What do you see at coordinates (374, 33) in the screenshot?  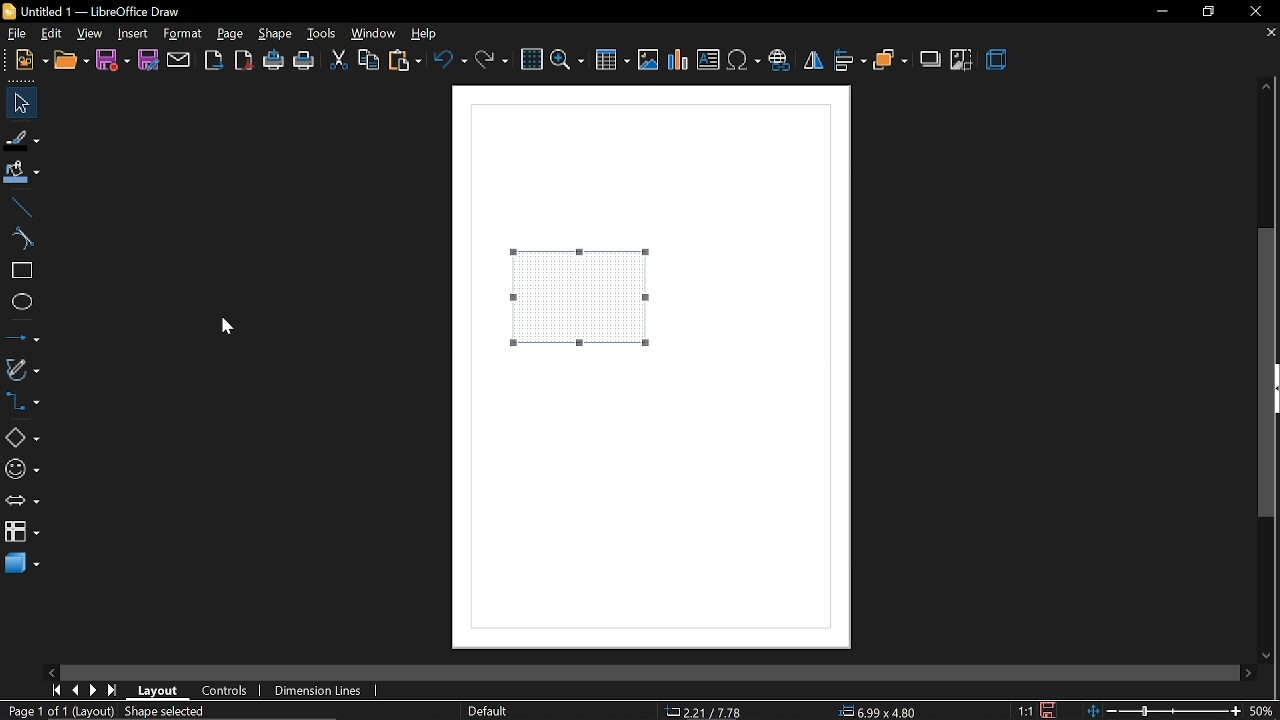 I see `window` at bounding box center [374, 33].